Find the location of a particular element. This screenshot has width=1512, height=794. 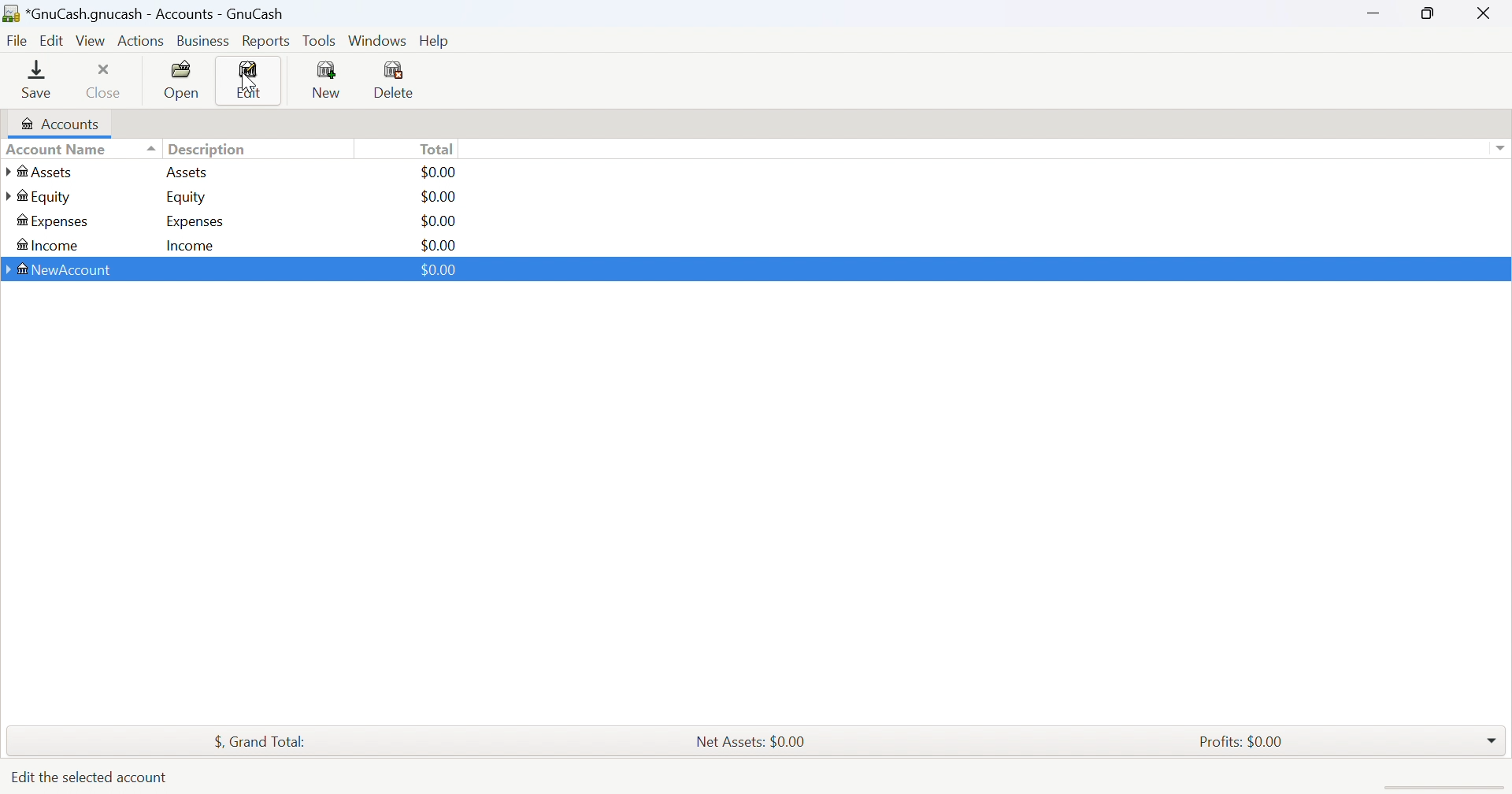

*GnuCash.gnucash - Accounts -GnuCash is located at coordinates (148, 14).